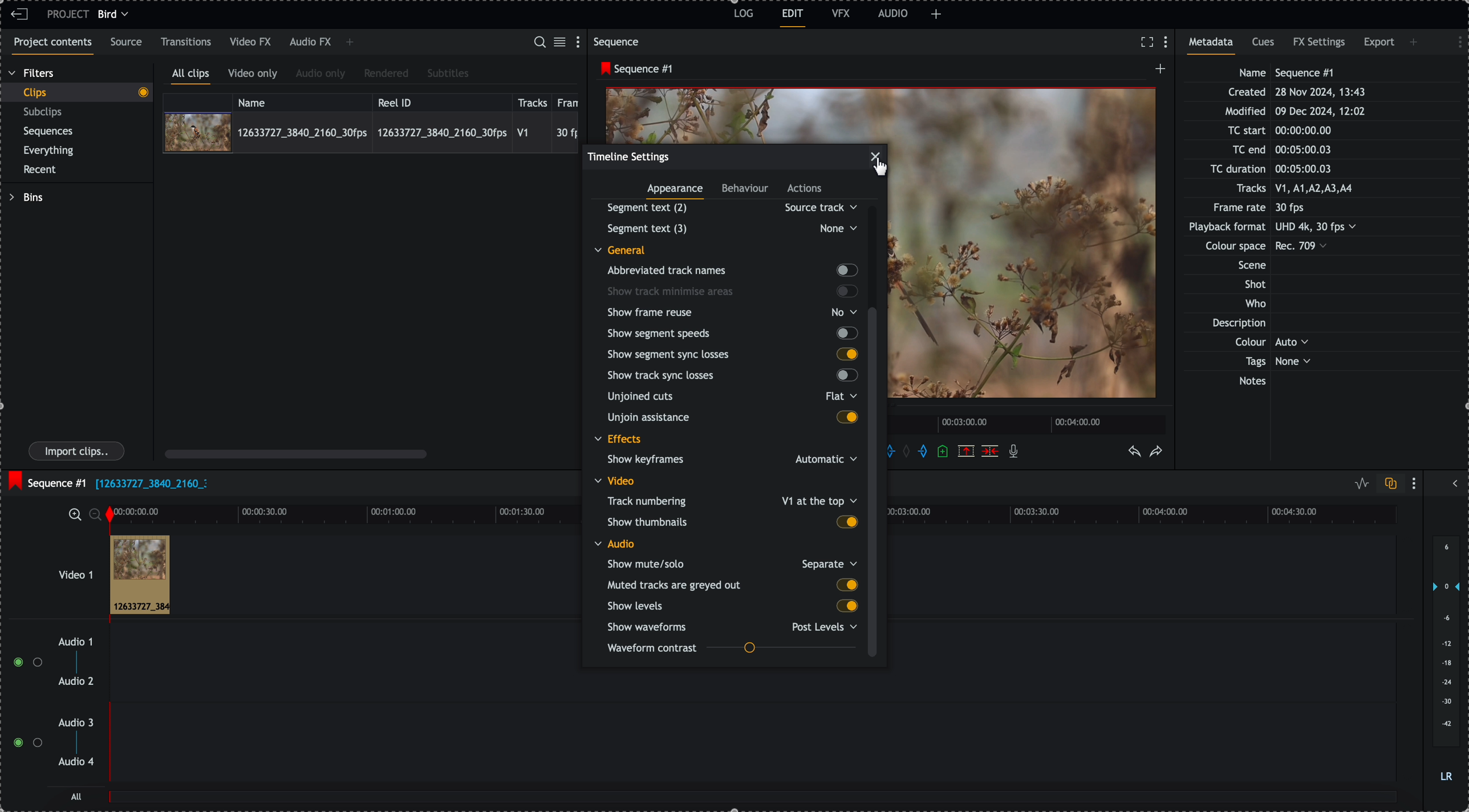 The height and width of the screenshot is (812, 1469). Describe the element at coordinates (879, 161) in the screenshot. I see `click on close timeline settings popup` at that location.